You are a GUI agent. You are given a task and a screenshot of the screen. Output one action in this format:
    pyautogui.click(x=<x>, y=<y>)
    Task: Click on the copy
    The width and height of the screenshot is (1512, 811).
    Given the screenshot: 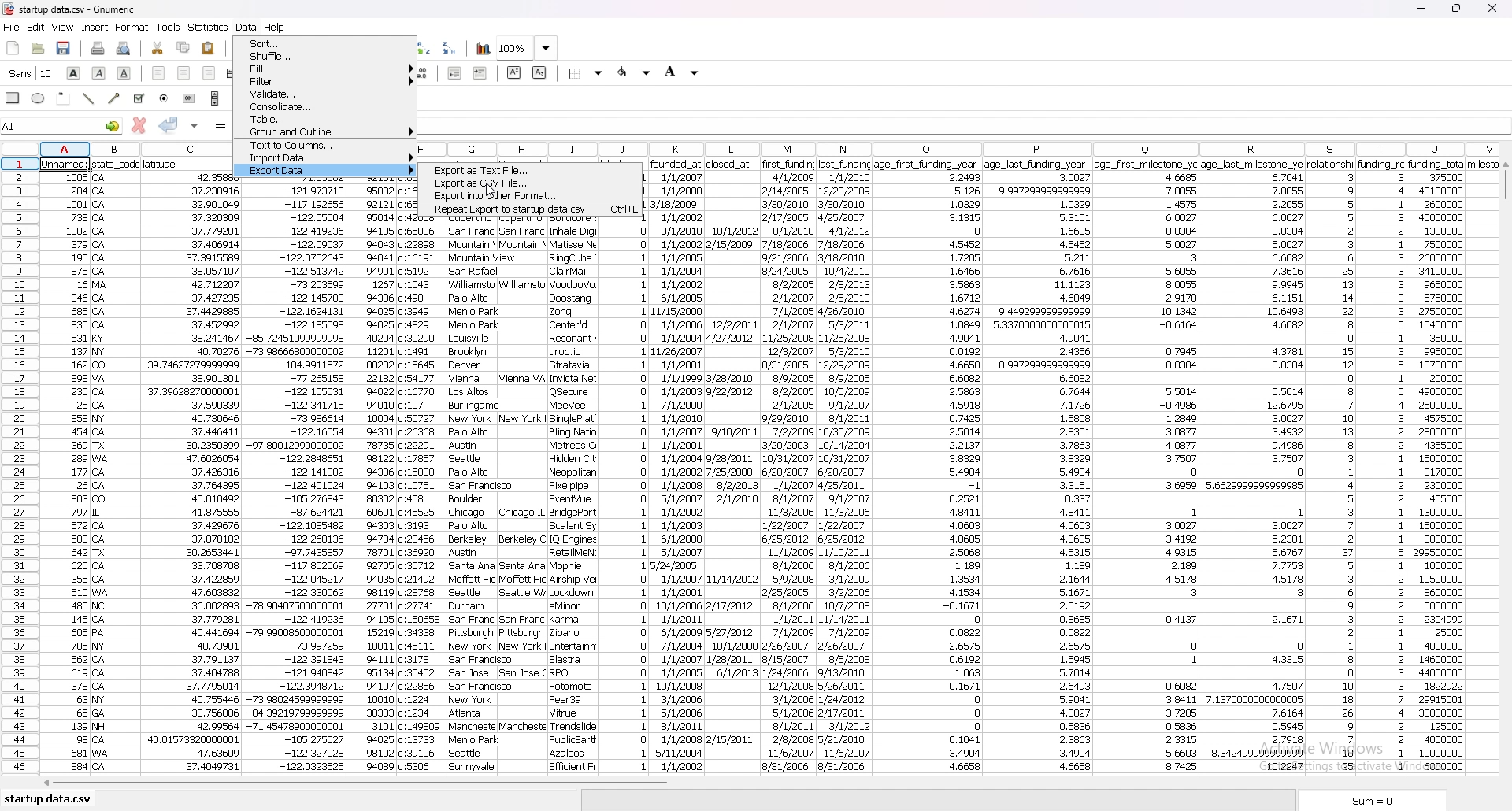 What is the action you would take?
    pyautogui.click(x=183, y=48)
    